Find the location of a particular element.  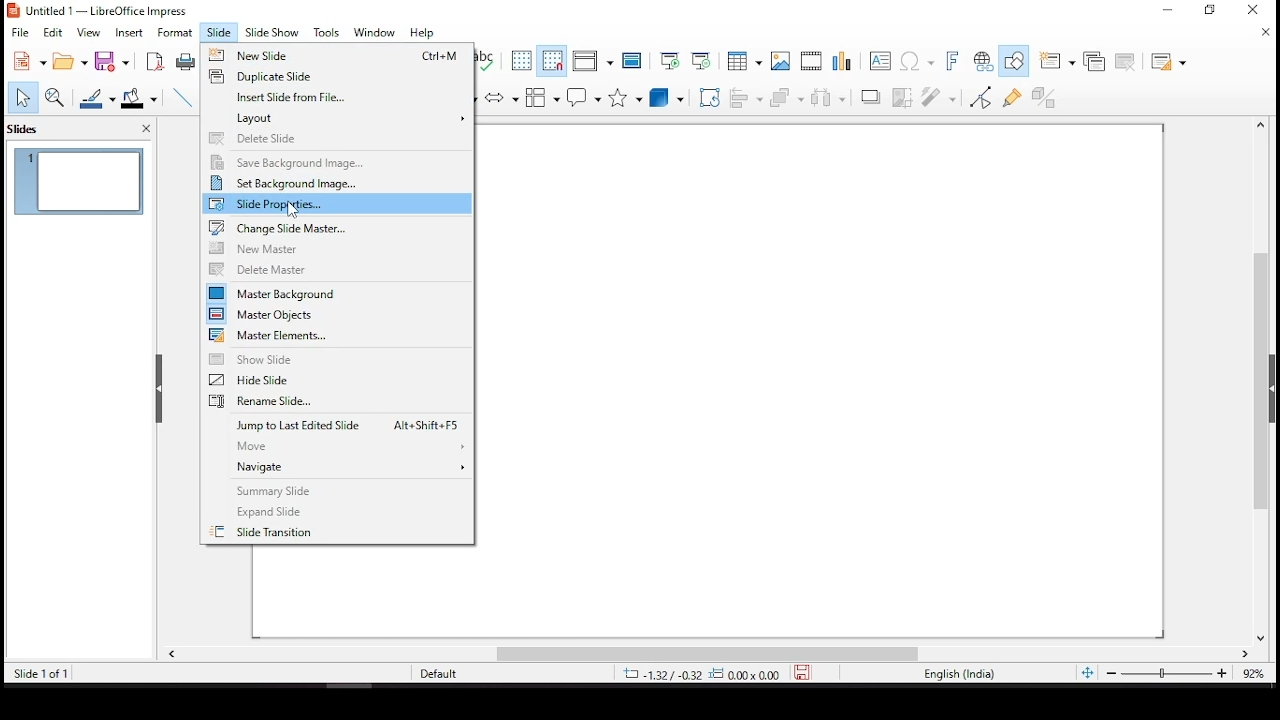

toggle extrusion is located at coordinates (1043, 97).